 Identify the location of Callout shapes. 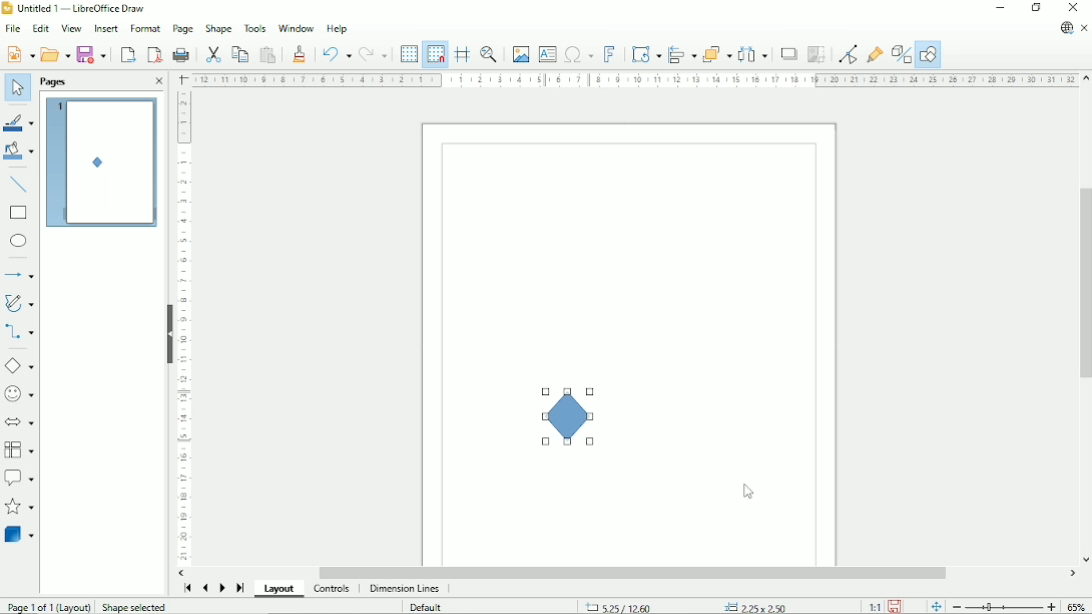
(20, 478).